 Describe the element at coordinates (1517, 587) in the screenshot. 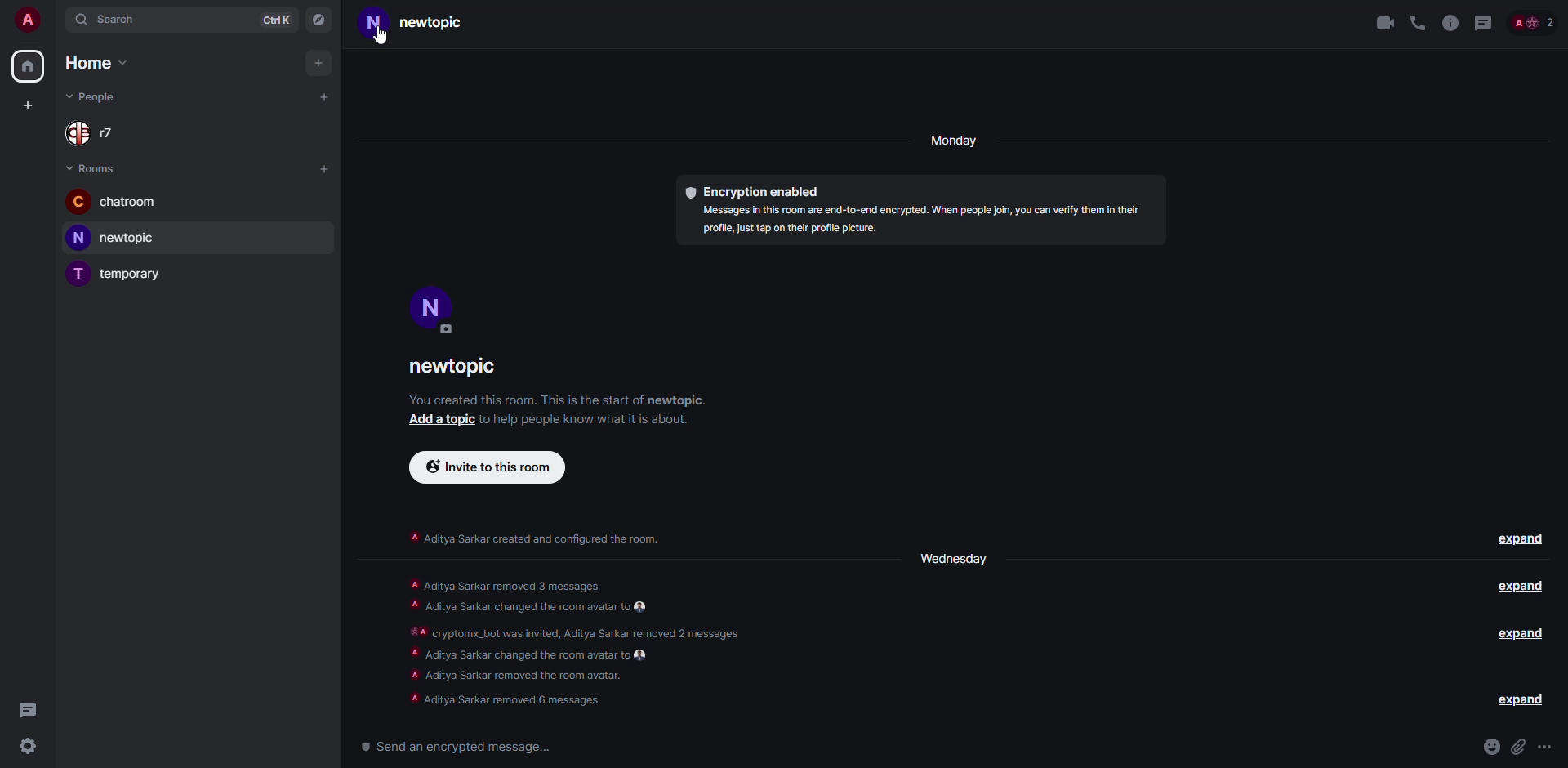

I see `expand` at that location.